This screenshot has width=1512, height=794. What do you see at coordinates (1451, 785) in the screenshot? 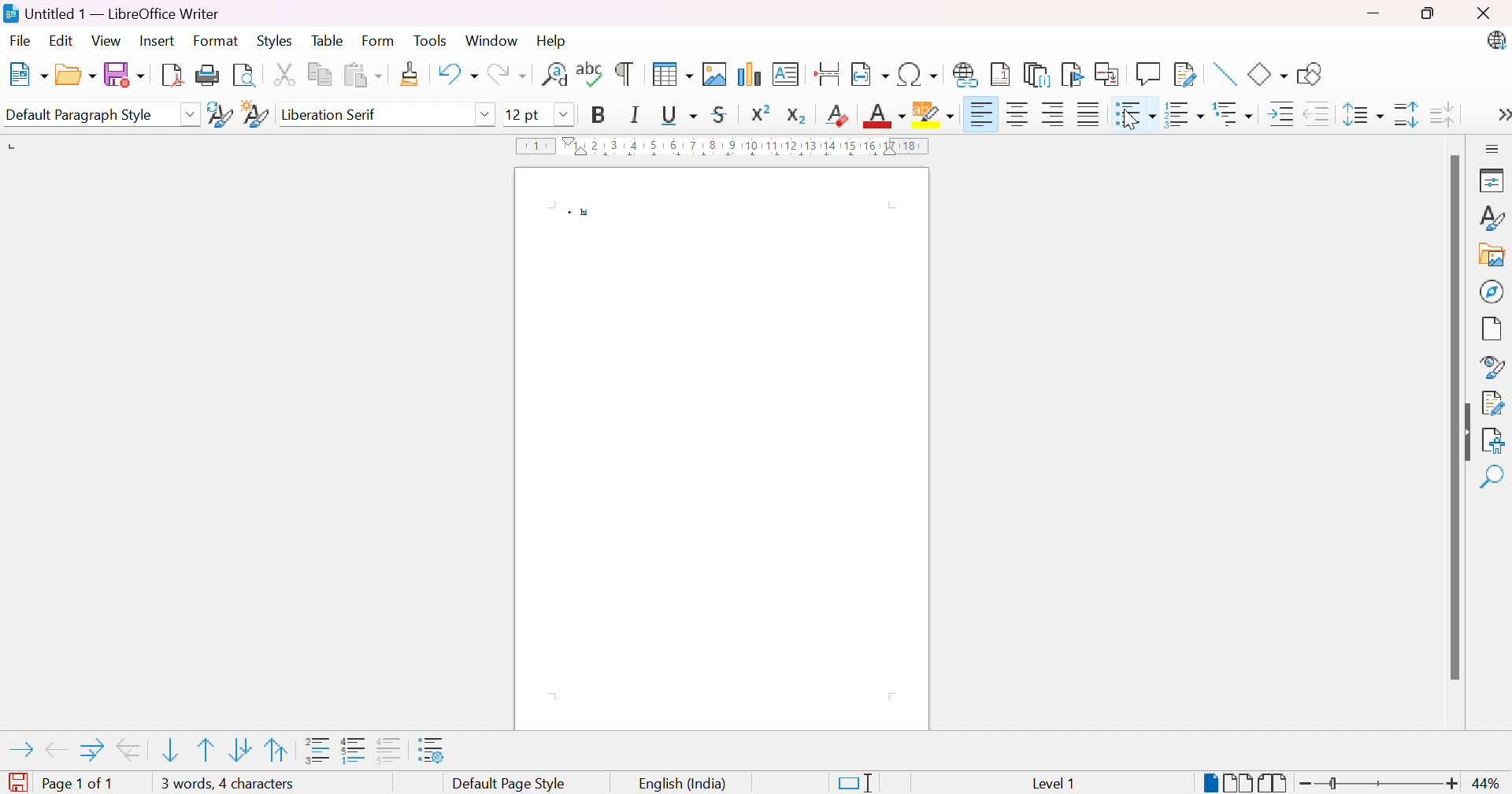
I see `Zoom in` at bounding box center [1451, 785].